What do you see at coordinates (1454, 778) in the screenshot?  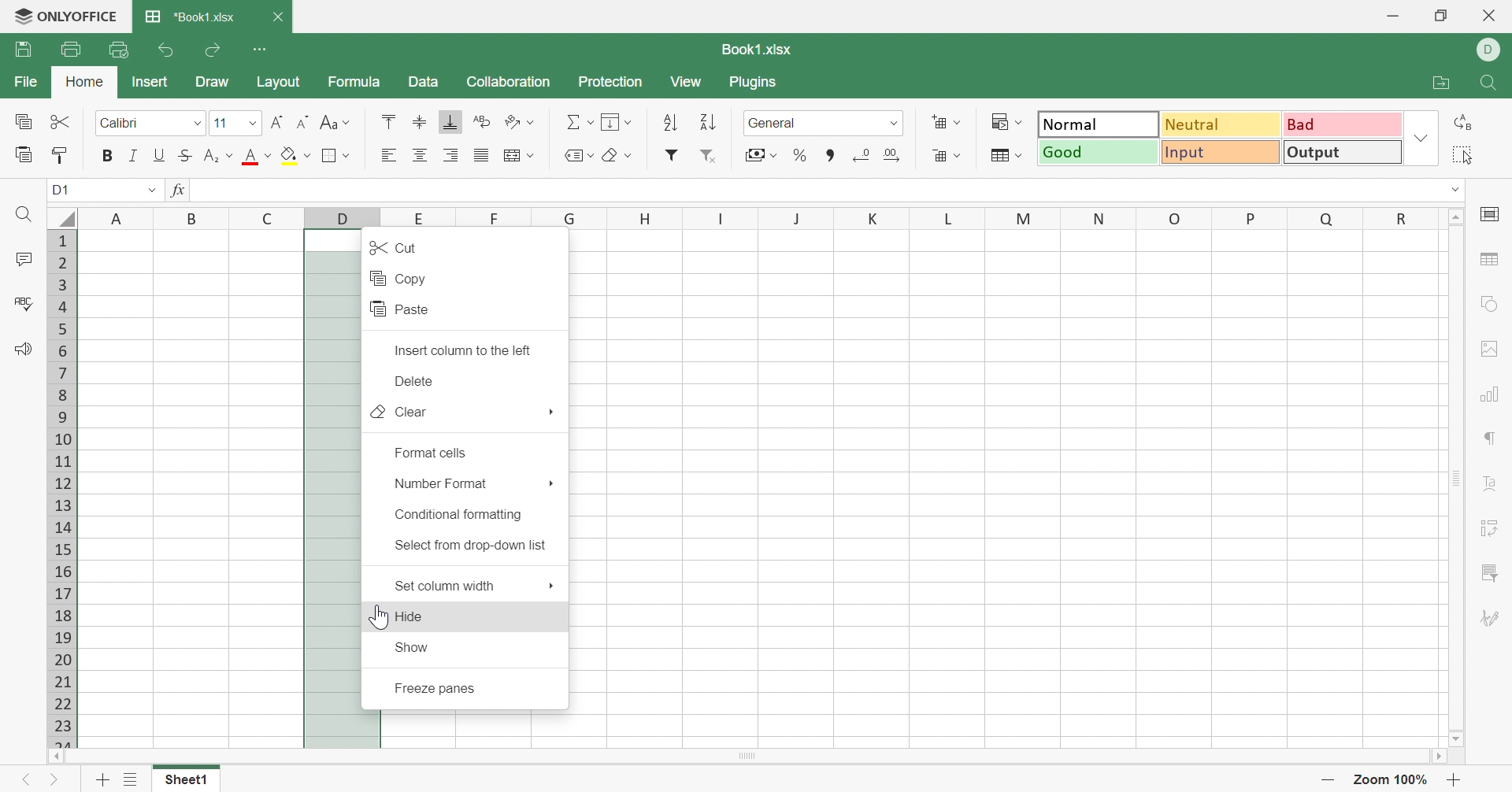 I see `Zoom in` at bounding box center [1454, 778].